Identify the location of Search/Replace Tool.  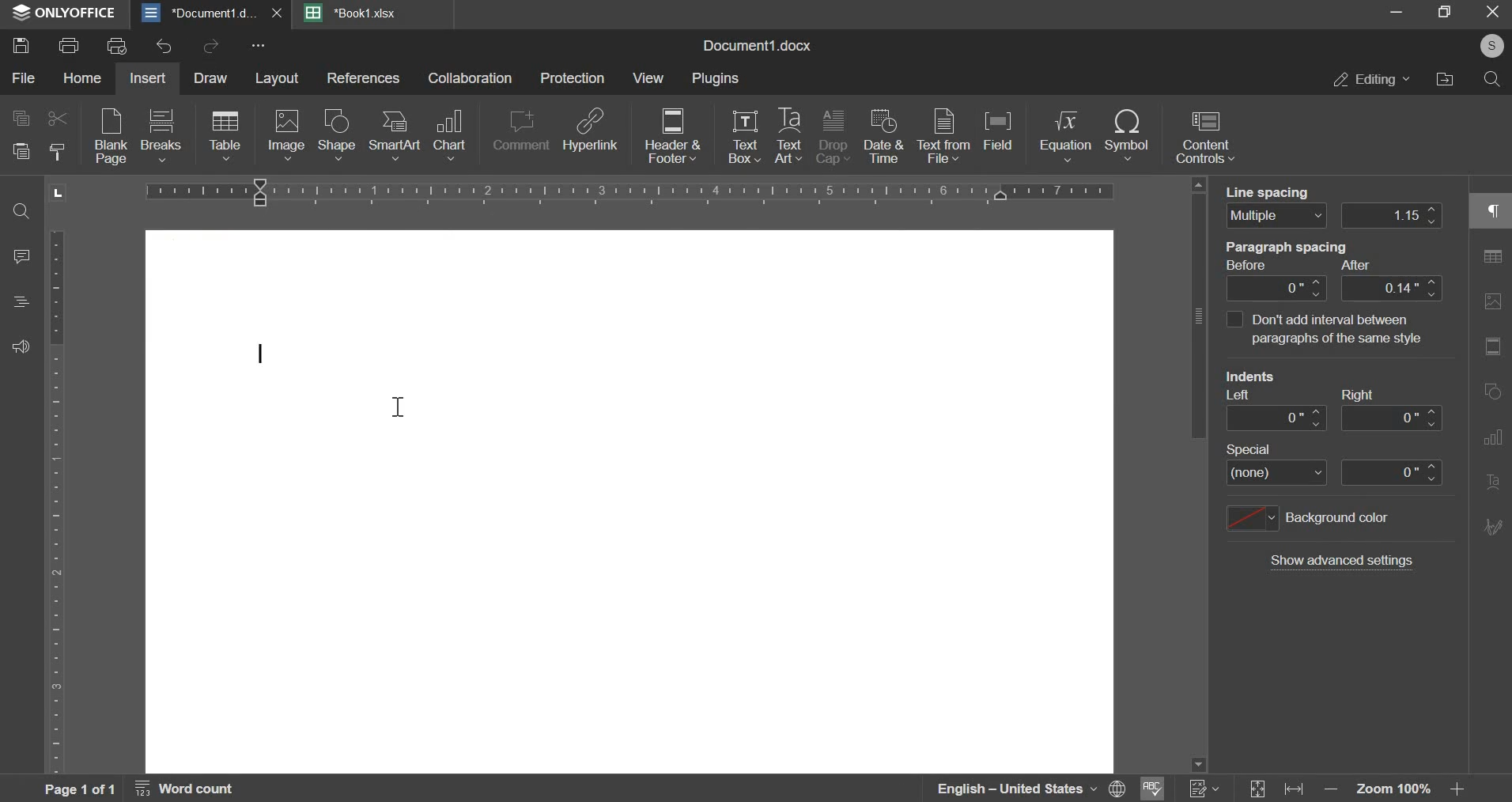
(1491, 258).